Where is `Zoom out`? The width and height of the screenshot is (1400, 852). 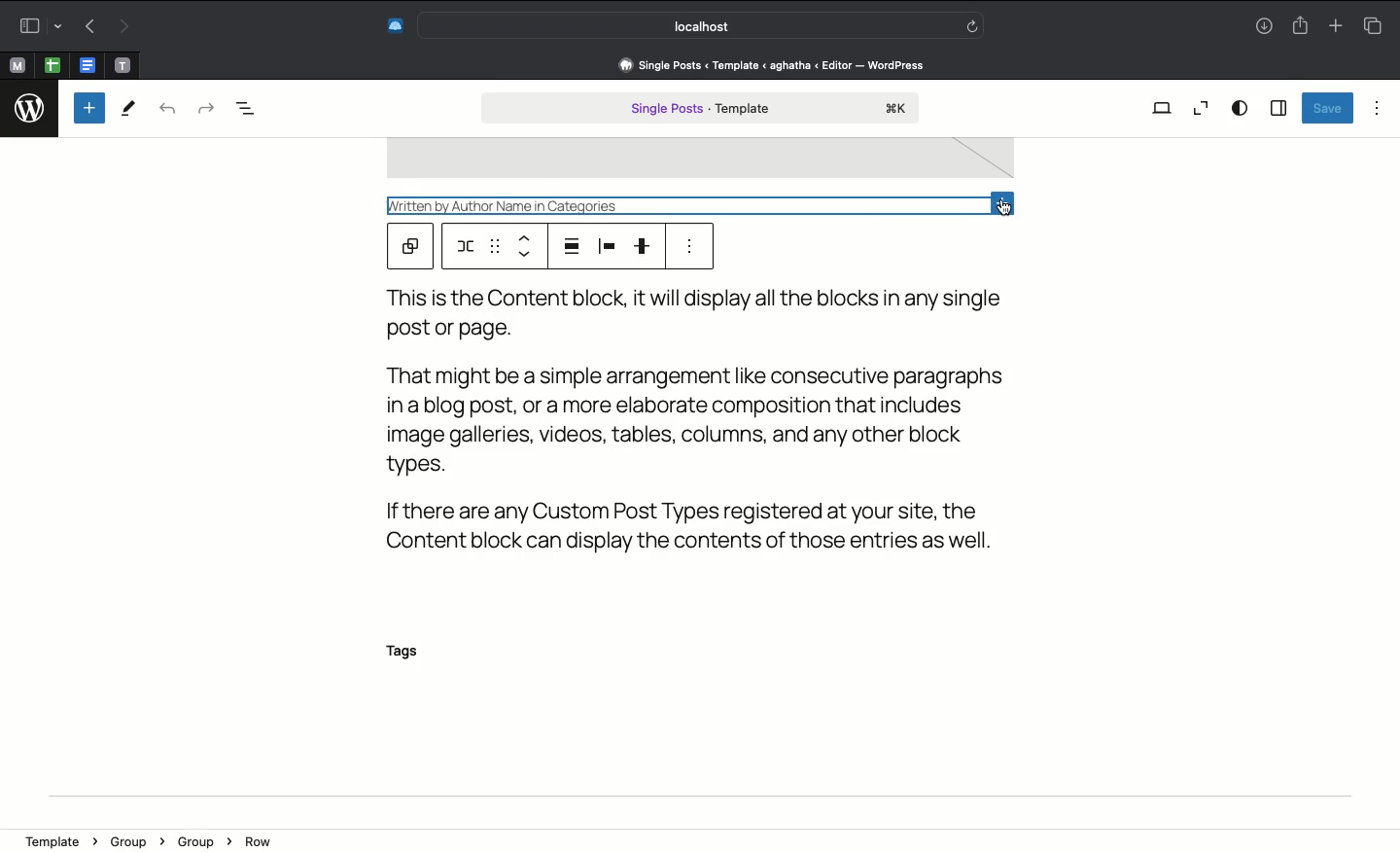
Zoom out is located at coordinates (1201, 108).